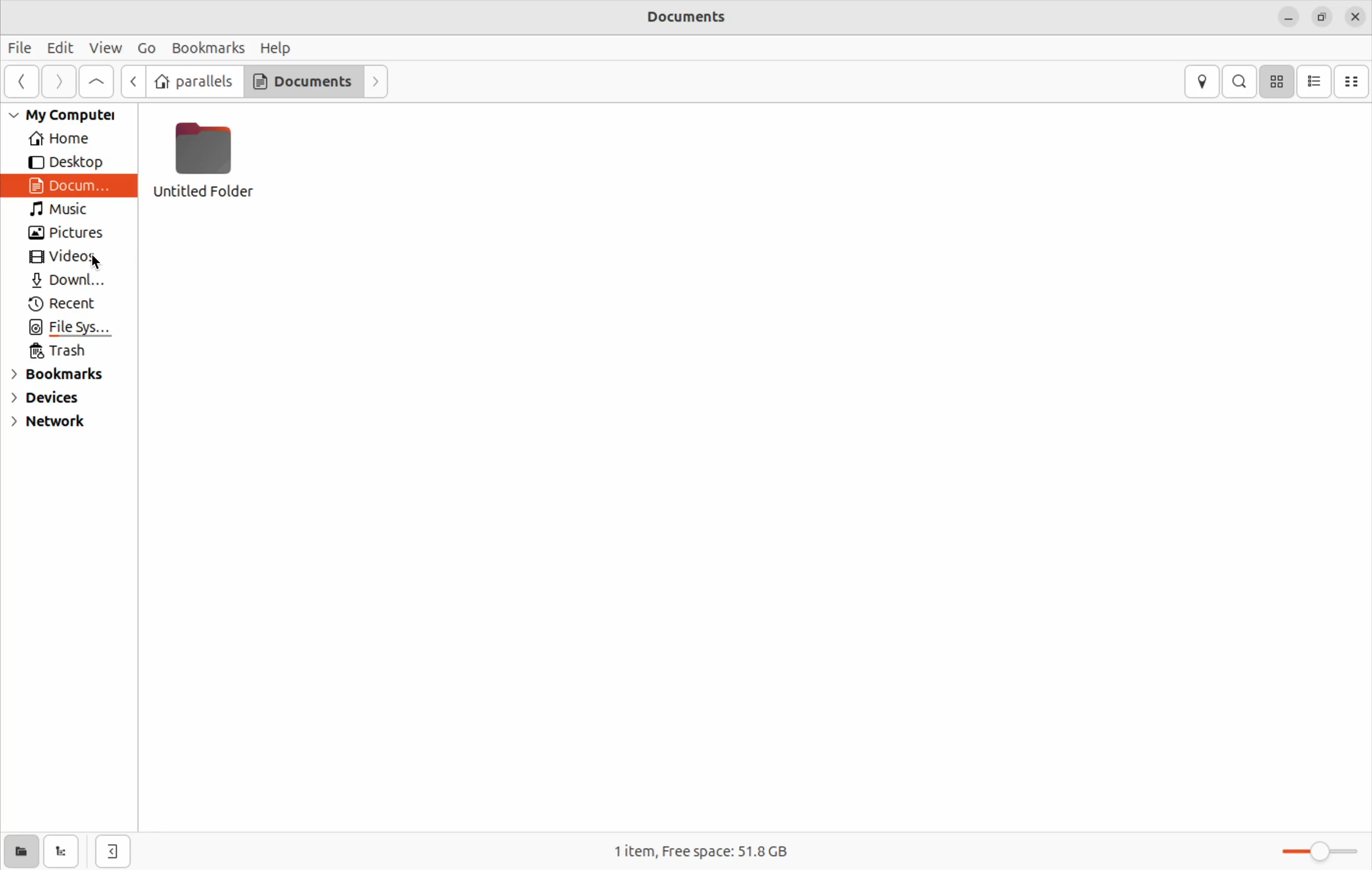  Describe the element at coordinates (207, 161) in the screenshot. I see `untitled folder` at that location.